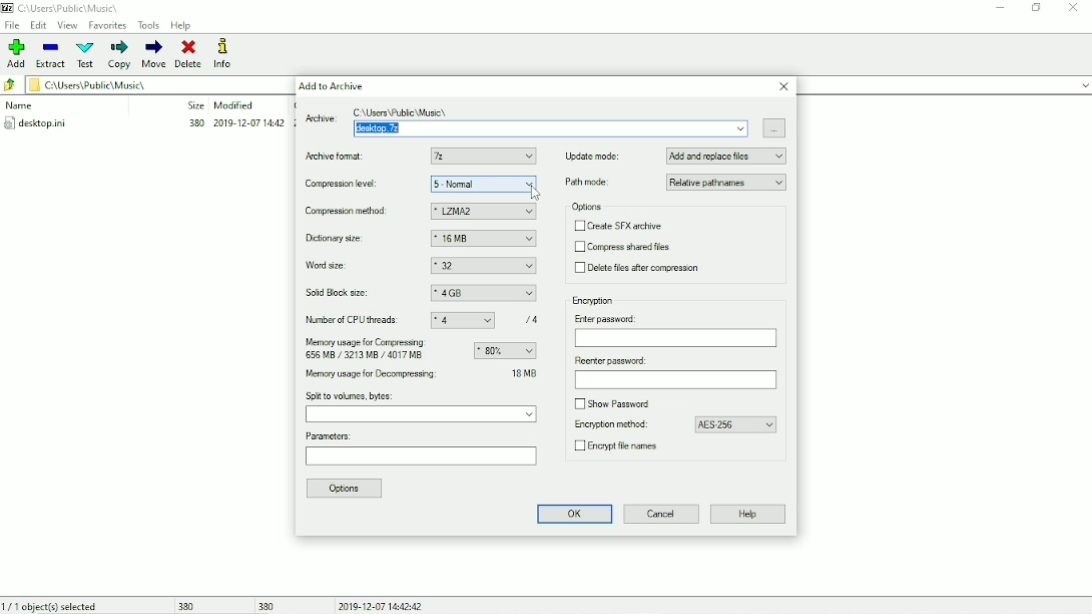  What do you see at coordinates (483, 238) in the screenshot?
I see `16 MB` at bounding box center [483, 238].